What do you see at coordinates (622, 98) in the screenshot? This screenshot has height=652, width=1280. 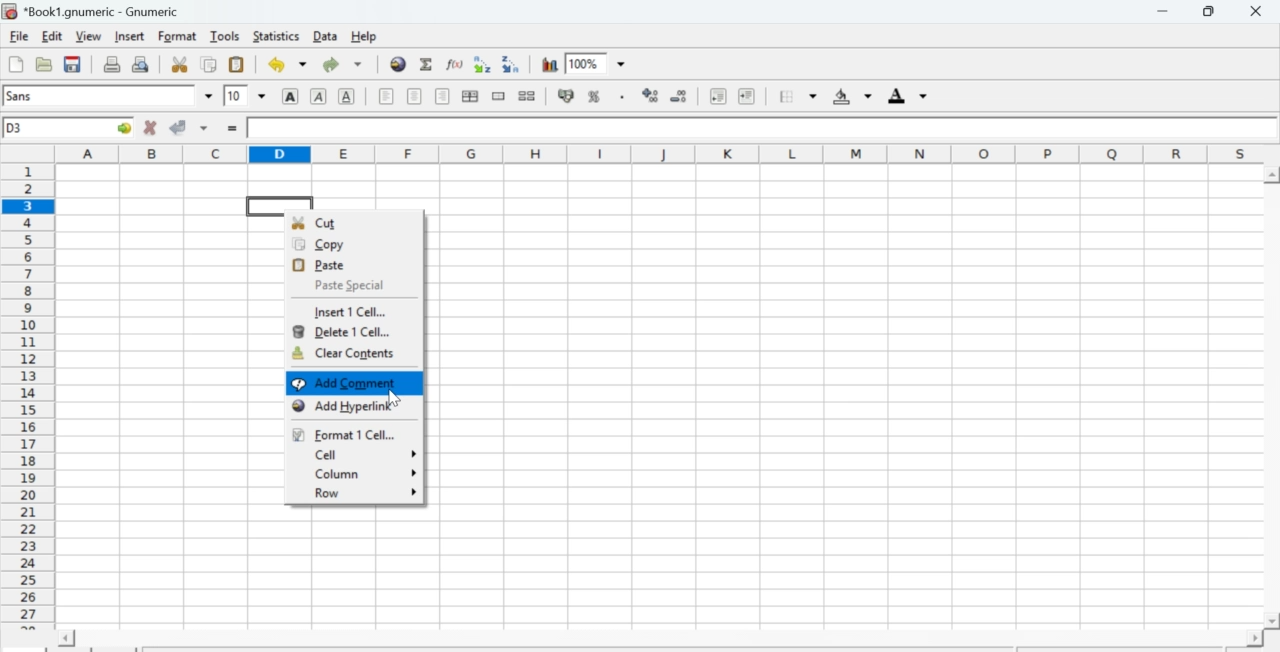 I see `Include thousands separator` at bounding box center [622, 98].